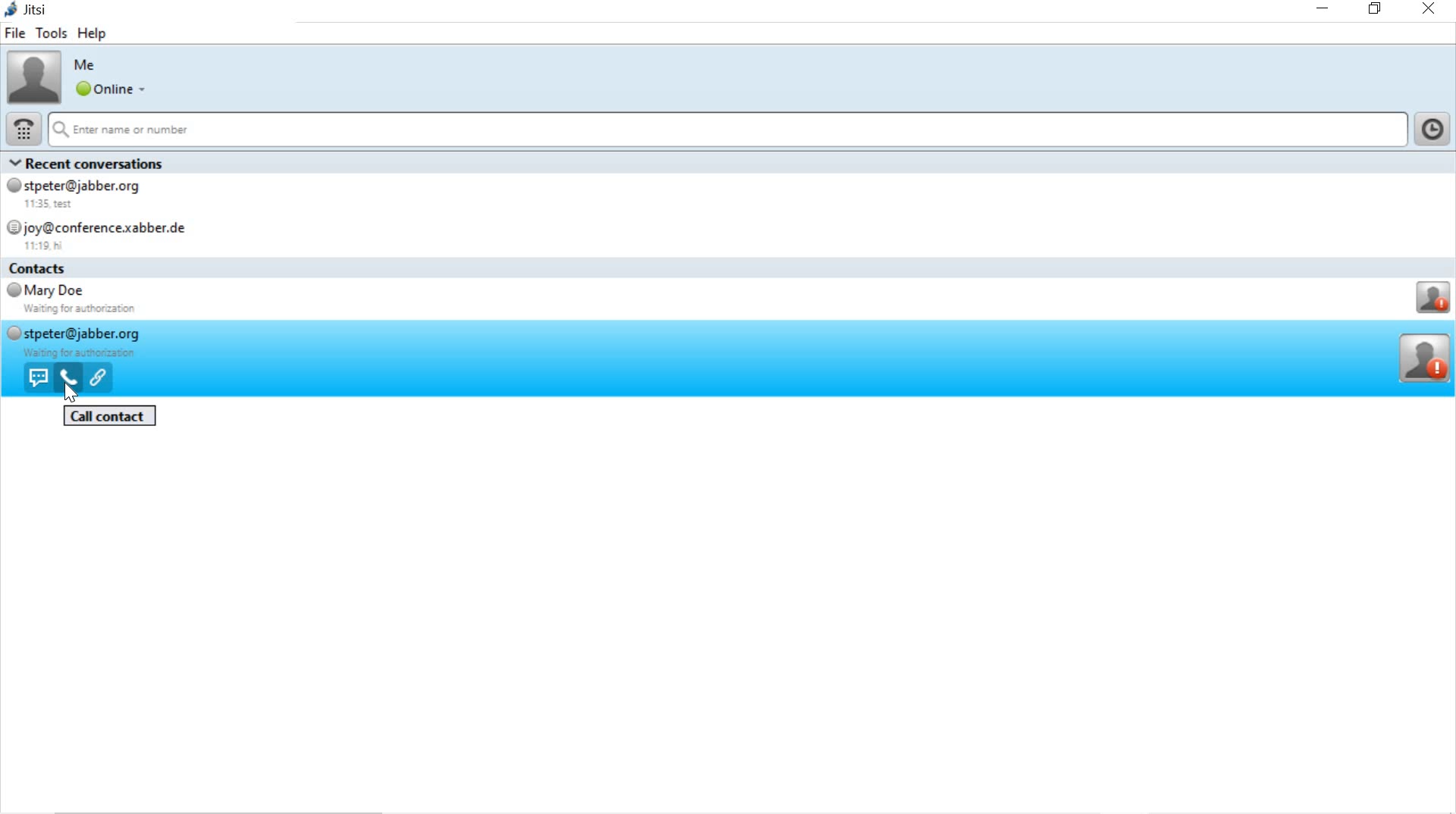 This screenshot has height=814, width=1456. What do you see at coordinates (71, 342) in the screenshot?
I see `stpeter@jabber.org waiting for authorization` at bounding box center [71, 342].